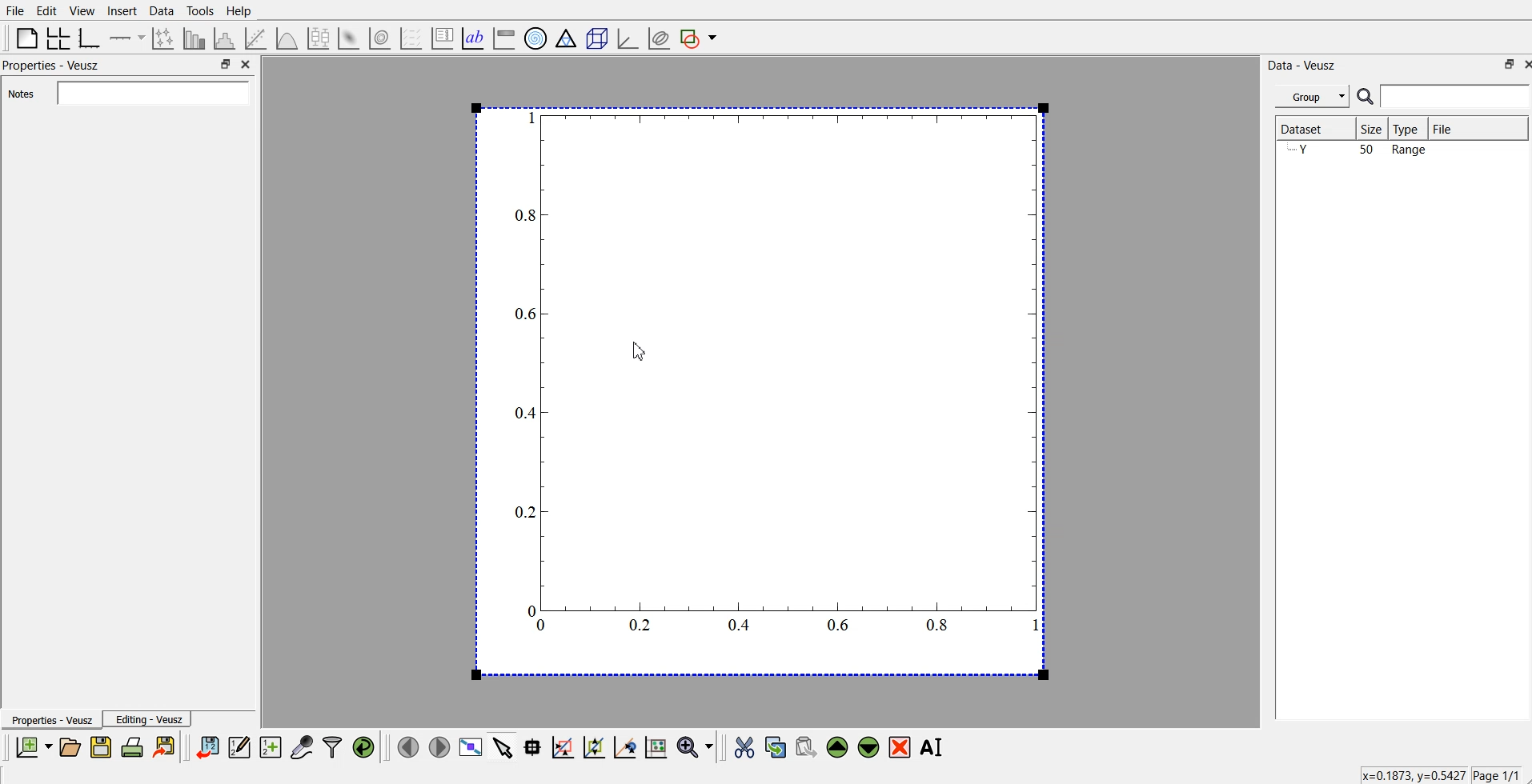  I want to click on Help, so click(239, 12).